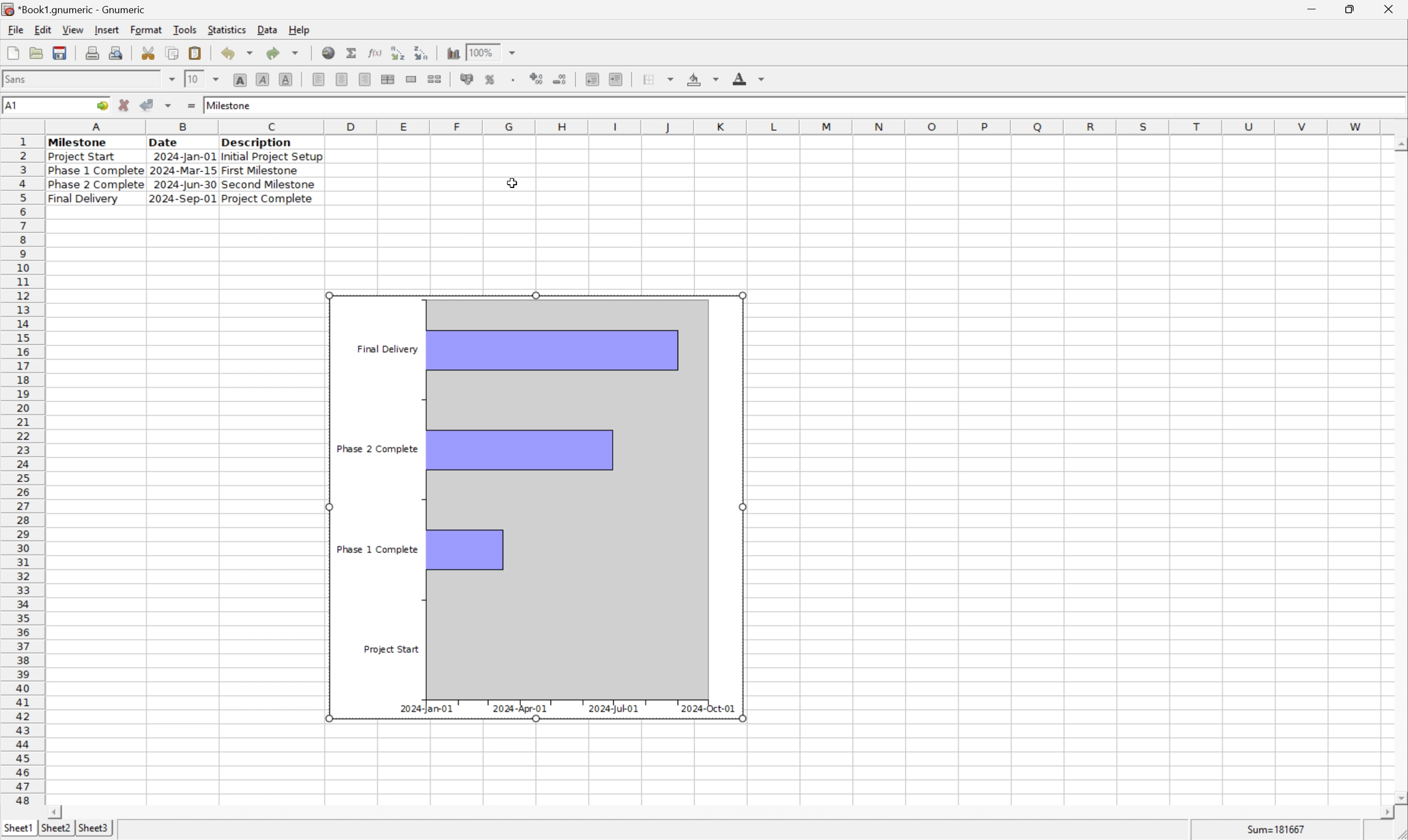 The width and height of the screenshot is (1408, 840). I want to click on Milestone, so click(230, 104).